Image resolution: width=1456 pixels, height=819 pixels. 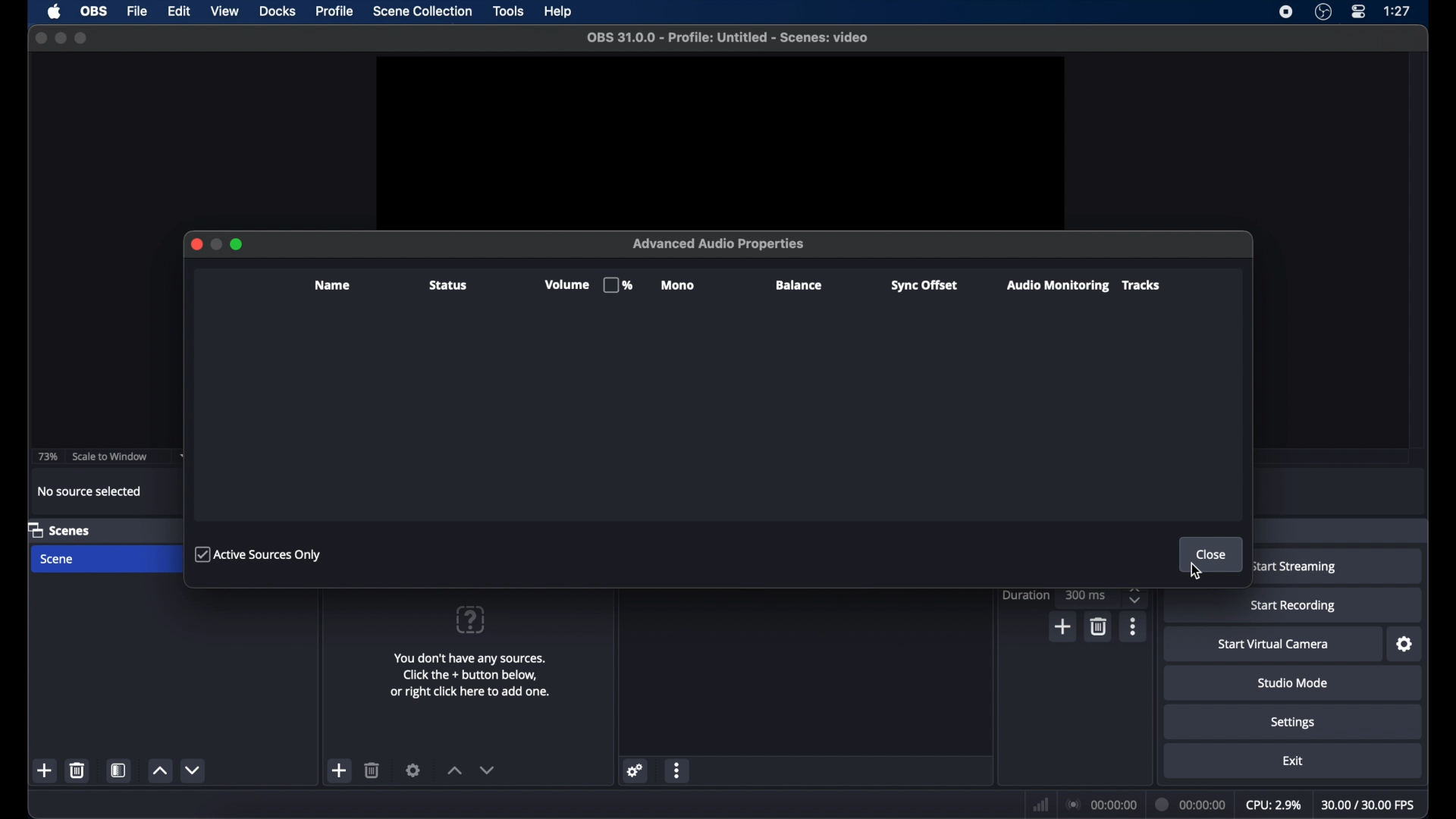 I want to click on fps, so click(x=1370, y=805).